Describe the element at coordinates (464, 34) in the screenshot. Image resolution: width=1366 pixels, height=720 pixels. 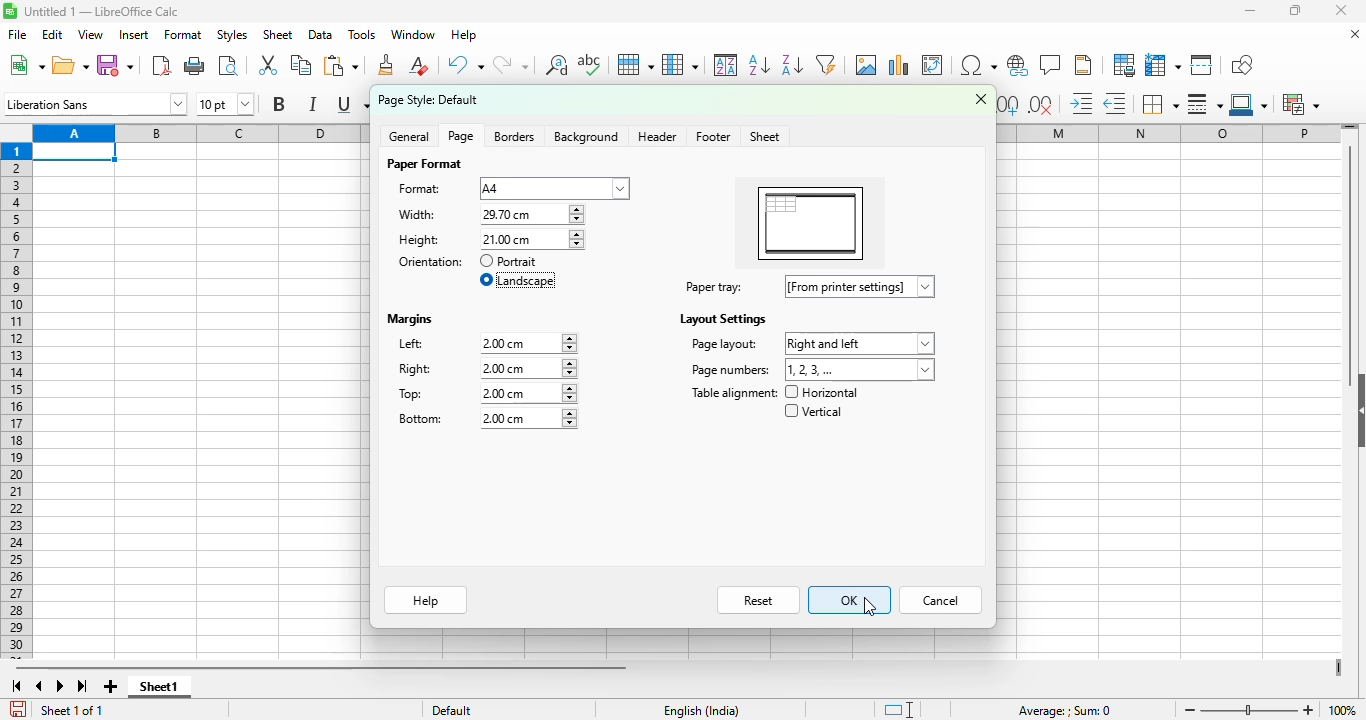
I see `help` at that location.